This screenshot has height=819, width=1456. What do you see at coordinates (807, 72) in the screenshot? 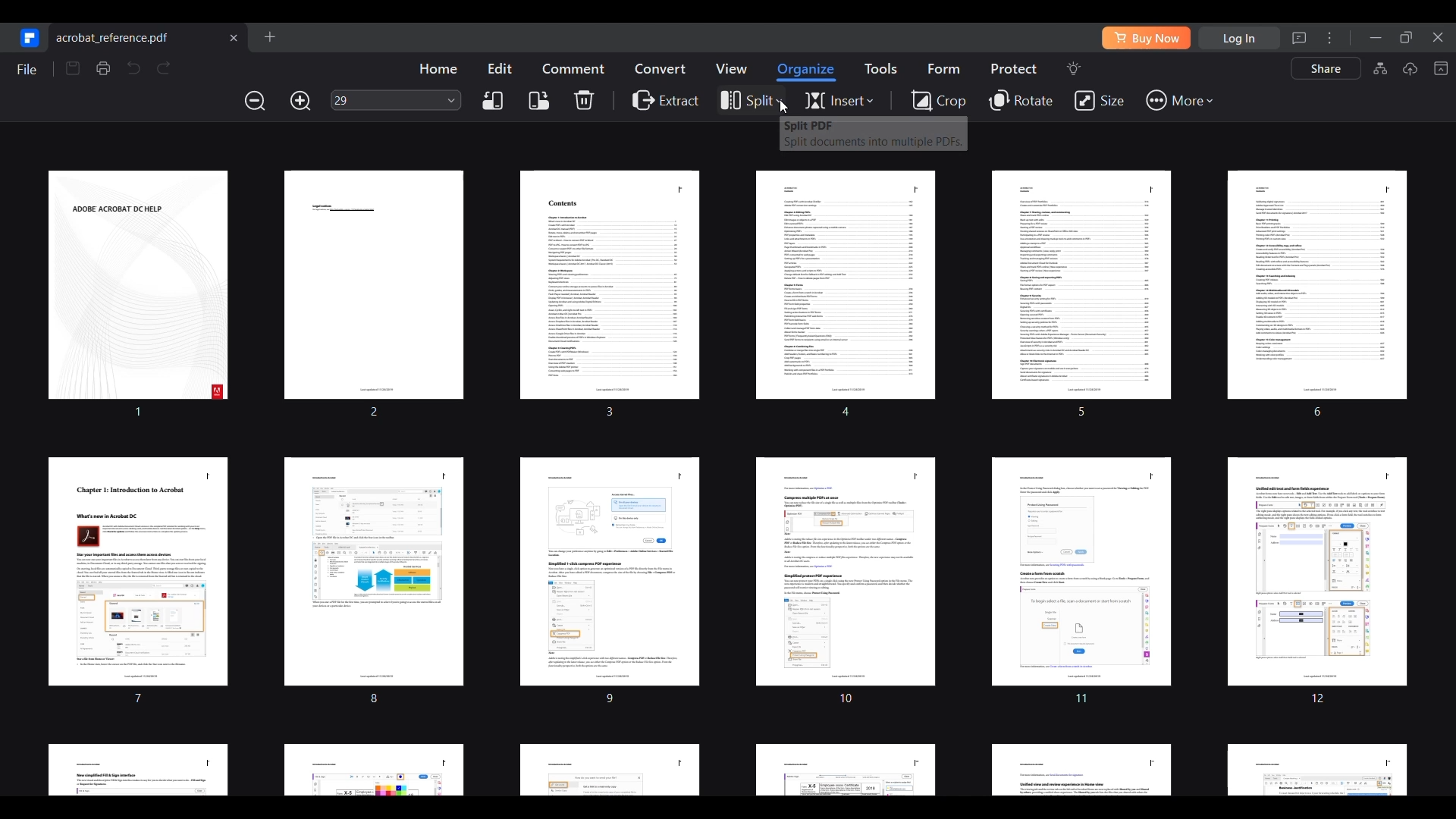
I see `Organize highlighted/Current menu` at bounding box center [807, 72].